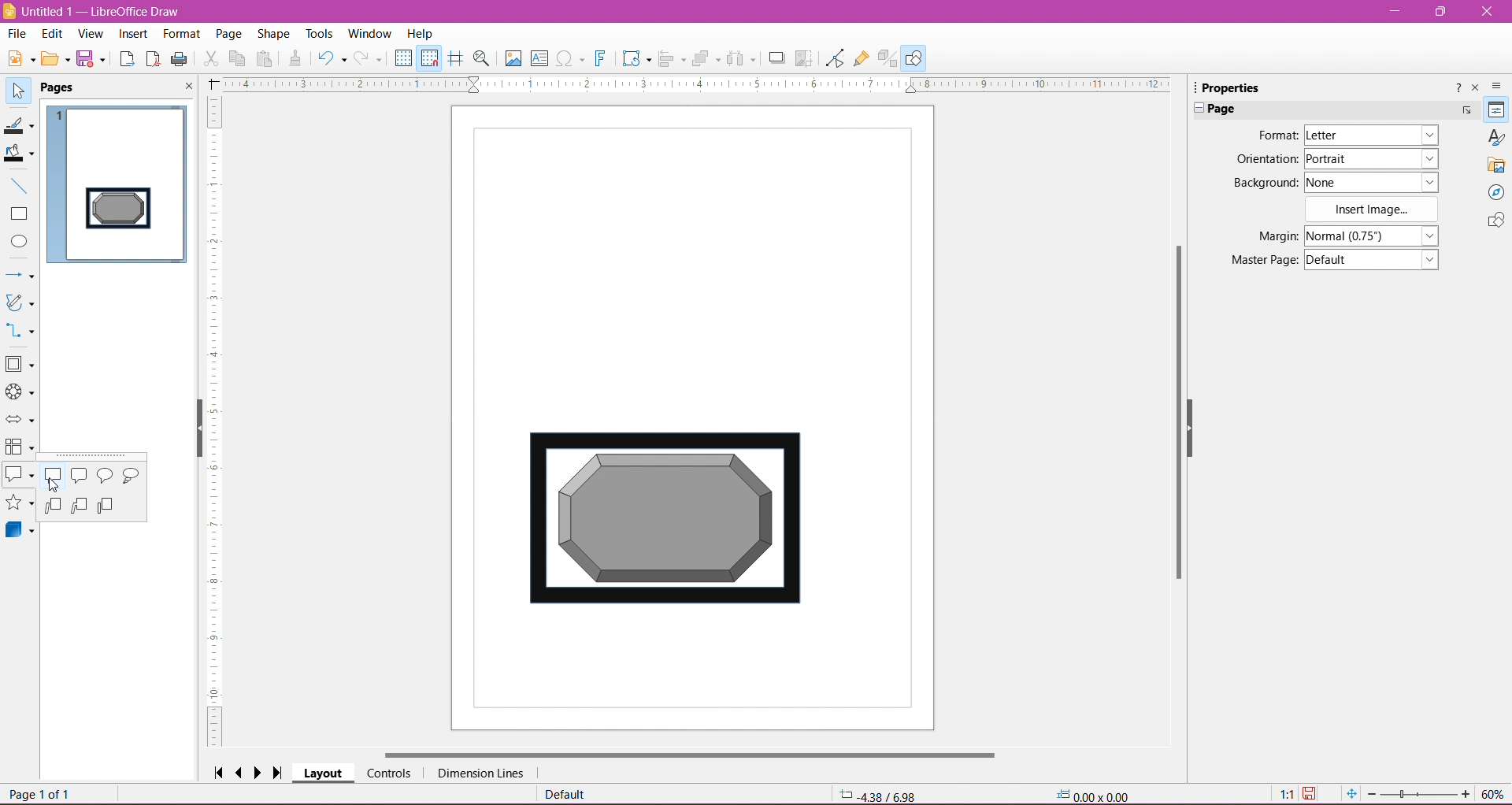  Describe the element at coordinates (273, 33) in the screenshot. I see `Shape` at that location.